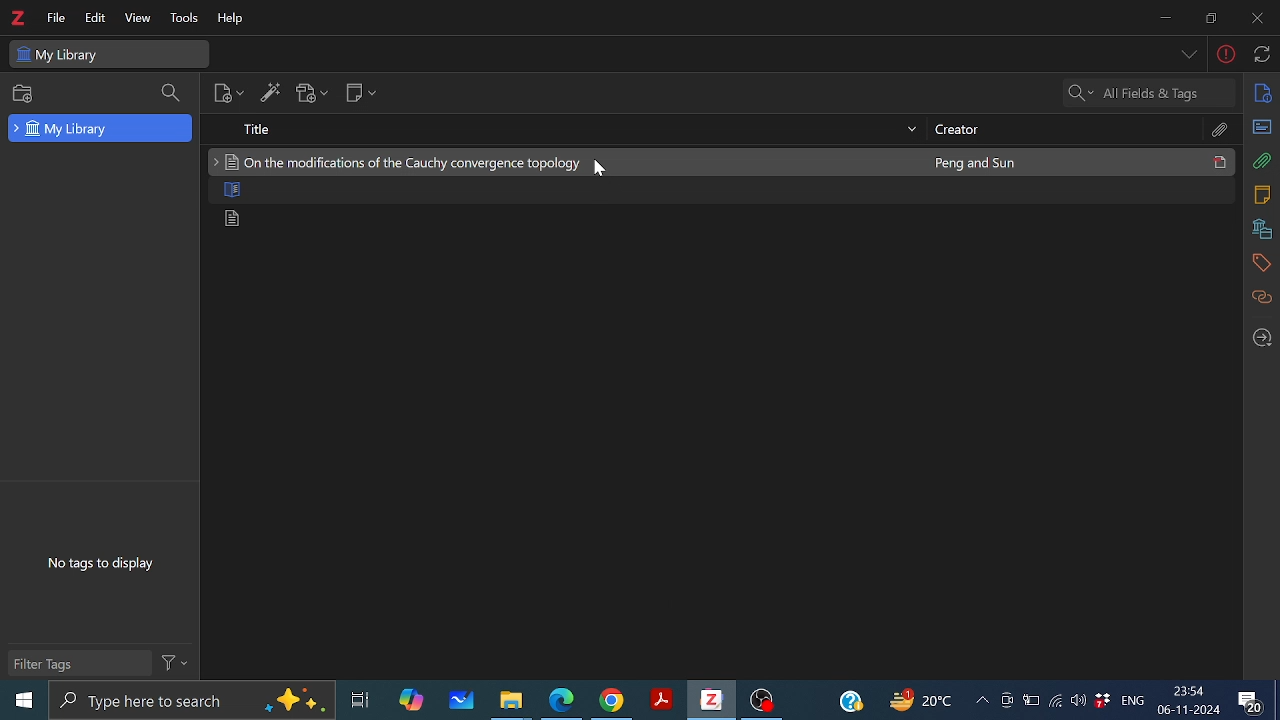 This screenshot has width=1280, height=720. Describe the element at coordinates (310, 96) in the screenshot. I see `Add attachment` at that location.